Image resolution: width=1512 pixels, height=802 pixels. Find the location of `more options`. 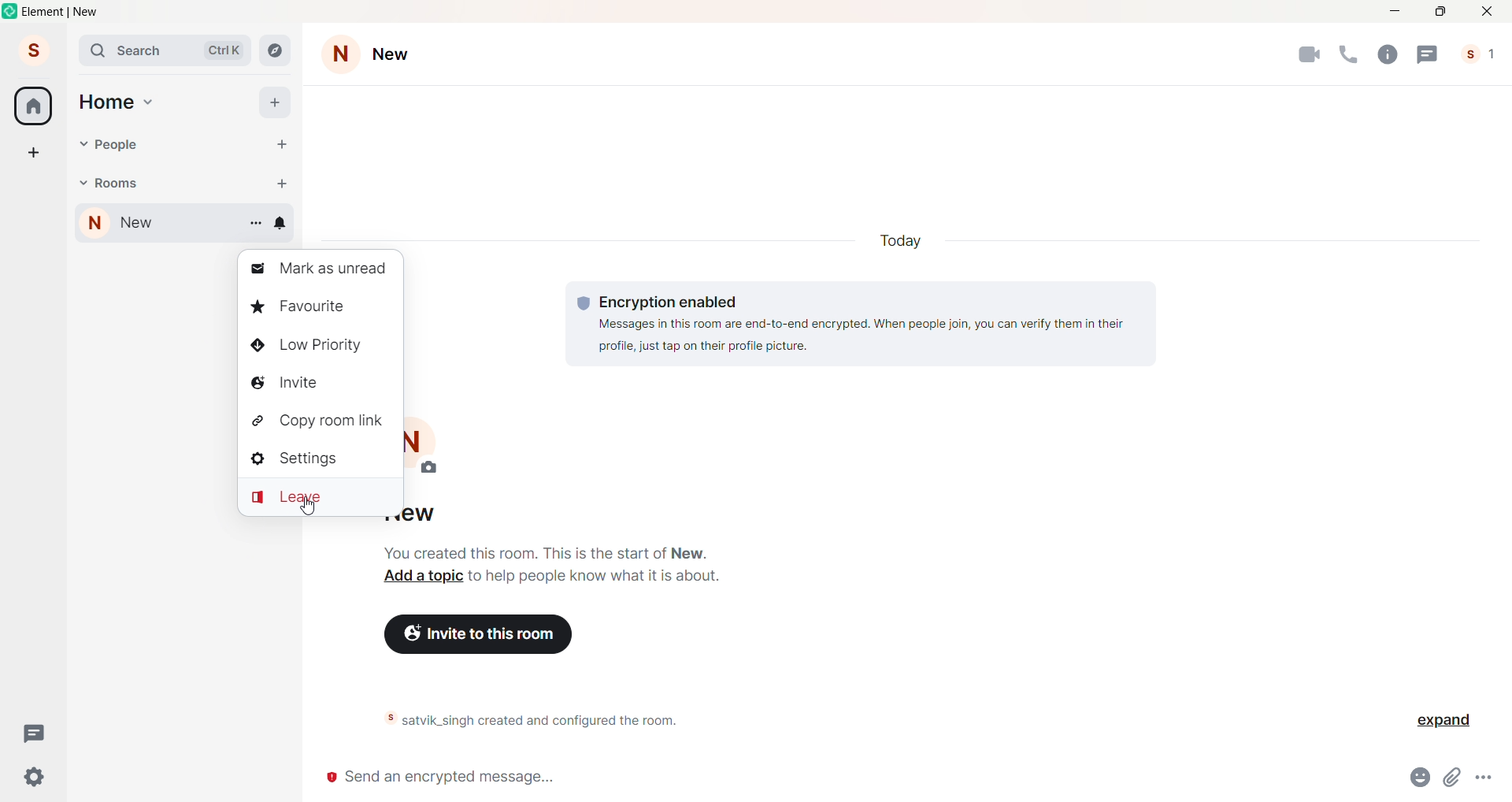

more options is located at coordinates (1485, 774).